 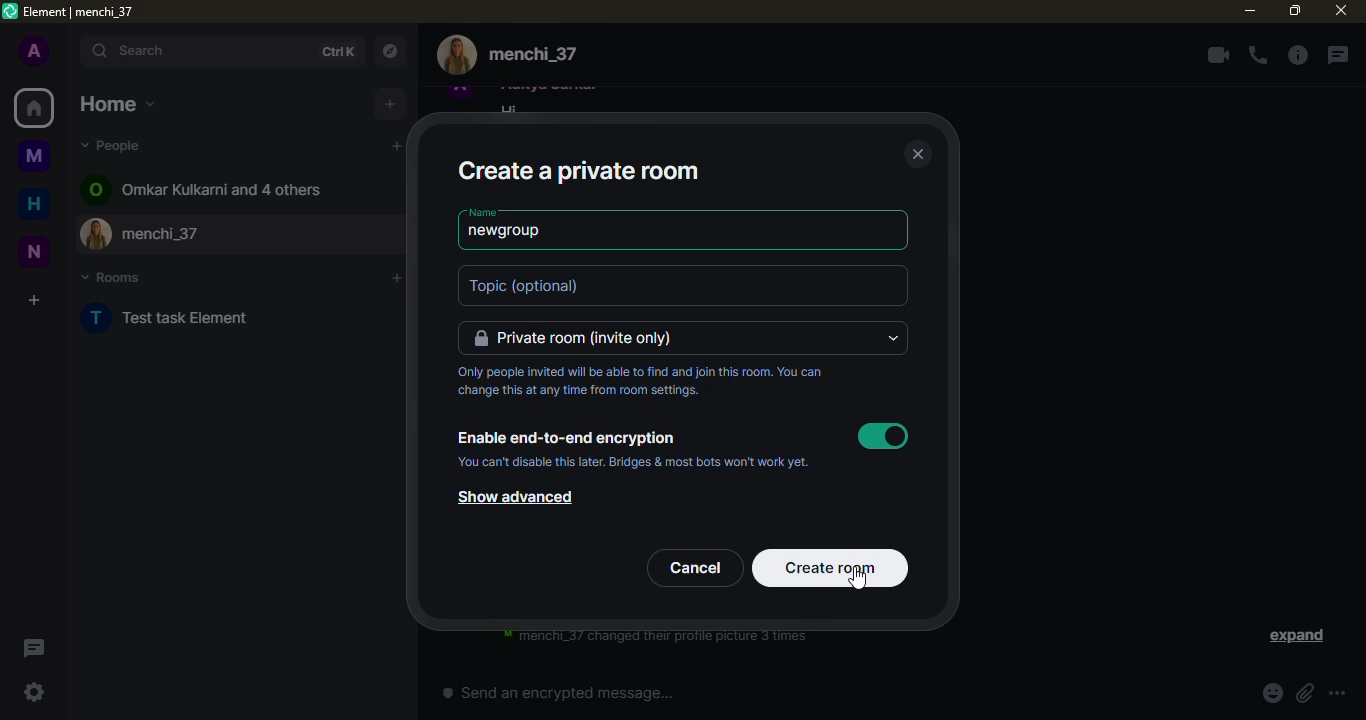 I want to click on Insert emoji, so click(x=1273, y=693).